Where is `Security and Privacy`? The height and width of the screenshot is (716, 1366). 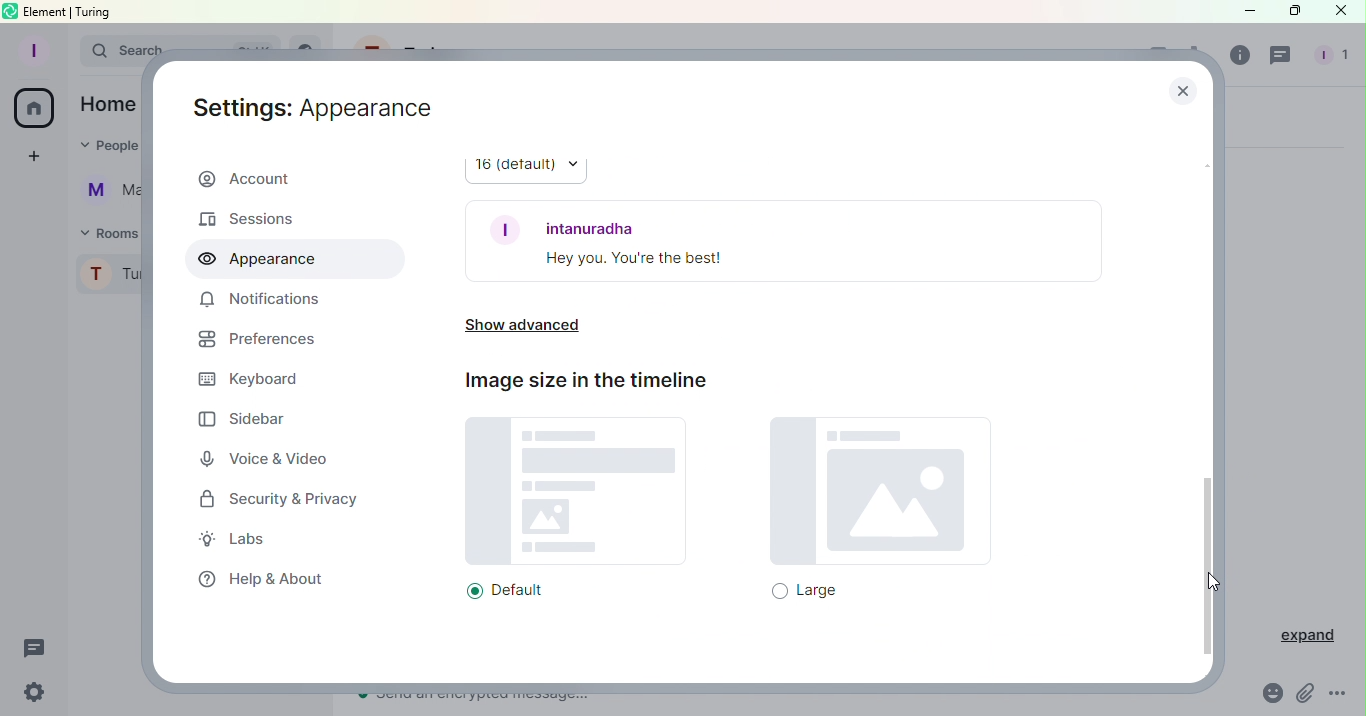
Security and Privacy is located at coordinates (279, 500).